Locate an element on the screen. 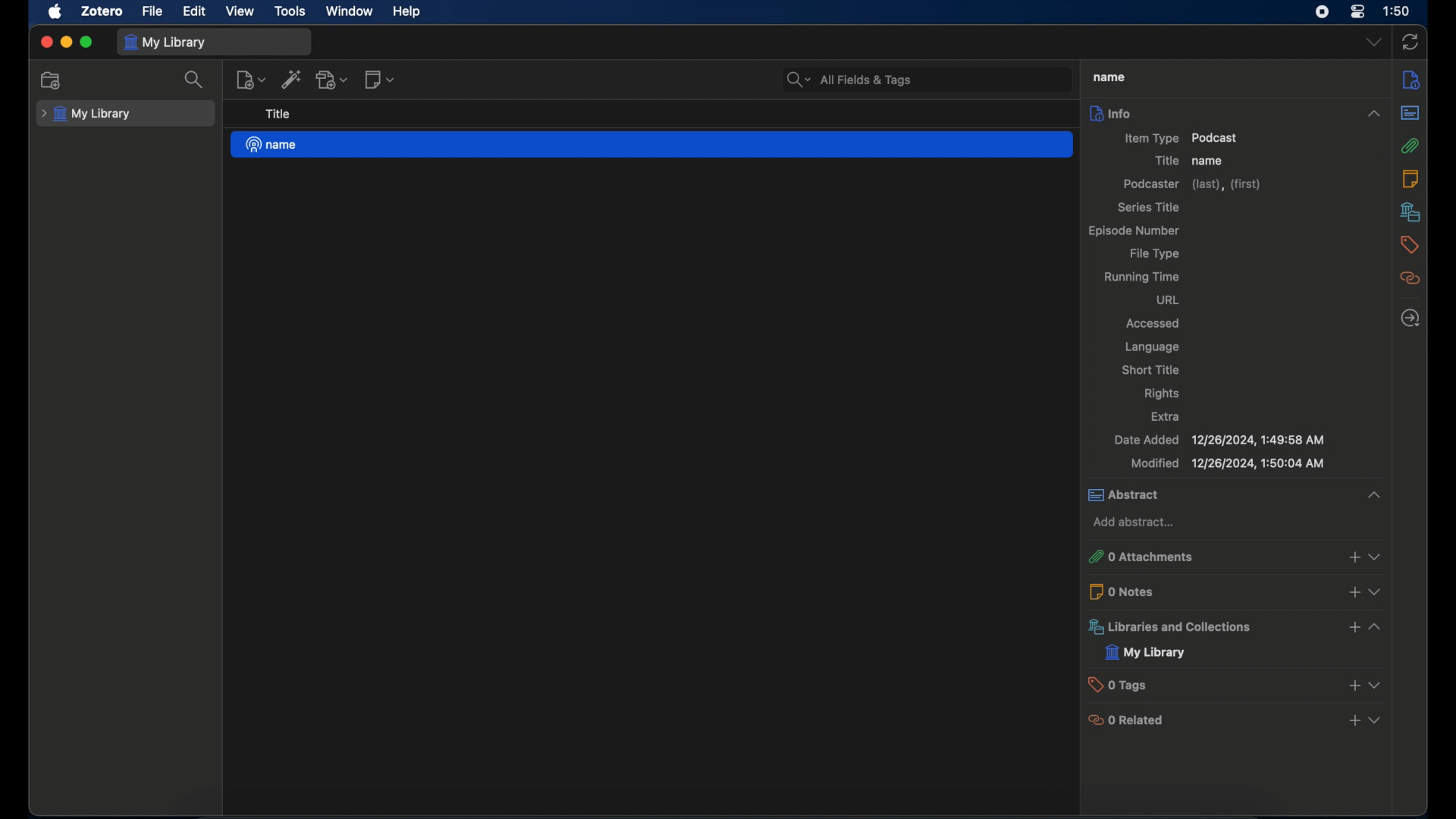  help is located at coordinates (409, 12).